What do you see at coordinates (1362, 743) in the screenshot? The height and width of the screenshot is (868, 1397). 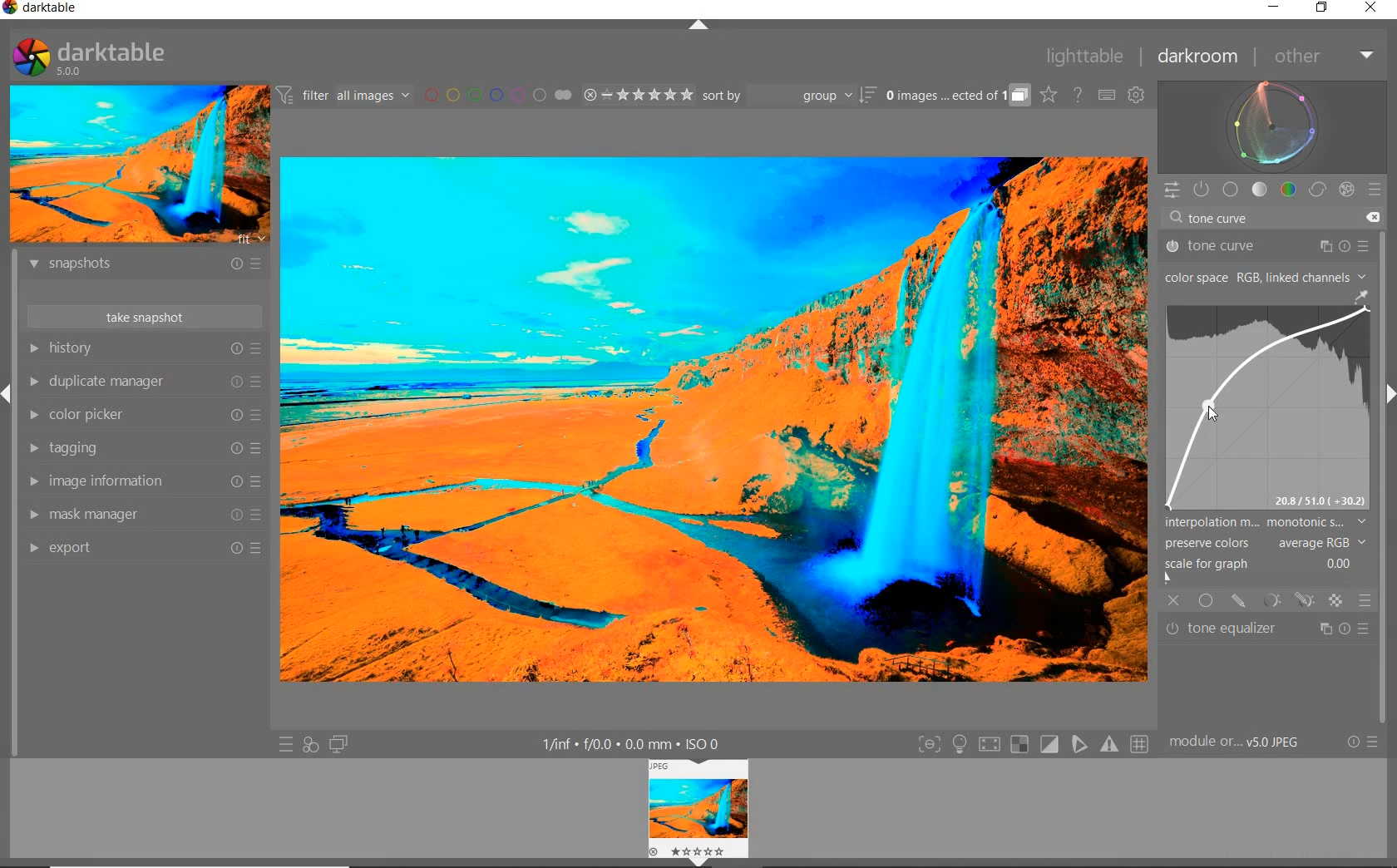 I see `RESET OR PRESETS & PREFERENCES` at bounding box center [1362, 743].